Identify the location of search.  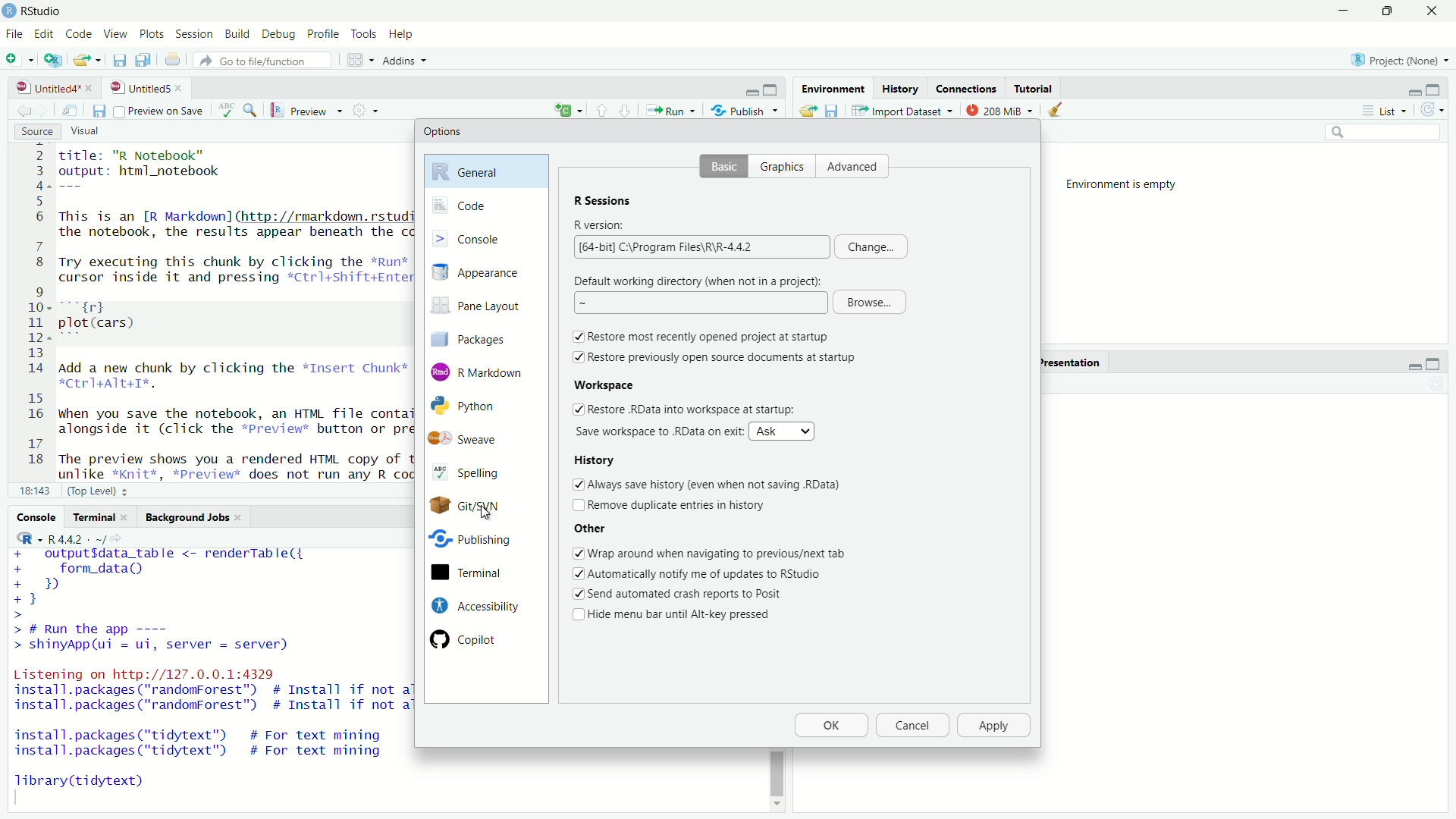
(1385, 133).